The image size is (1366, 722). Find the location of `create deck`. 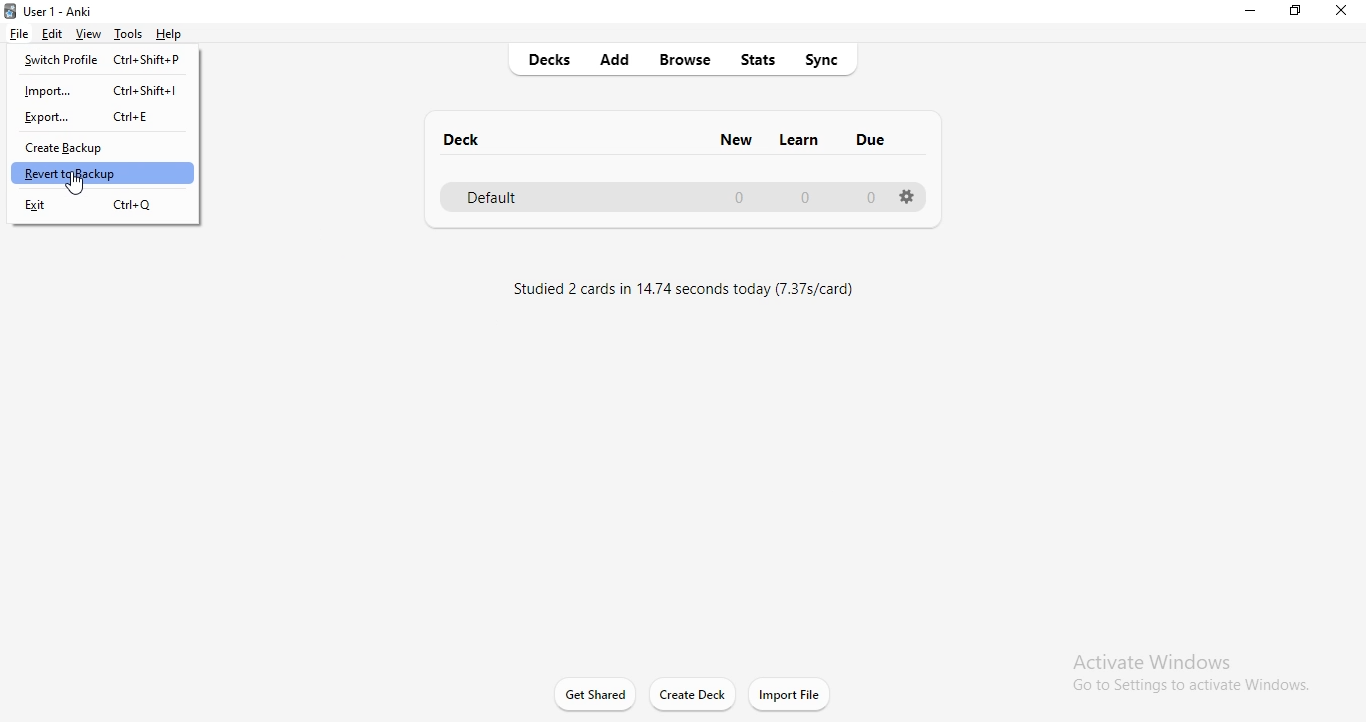

create deck is located at coordinates (694, 694).